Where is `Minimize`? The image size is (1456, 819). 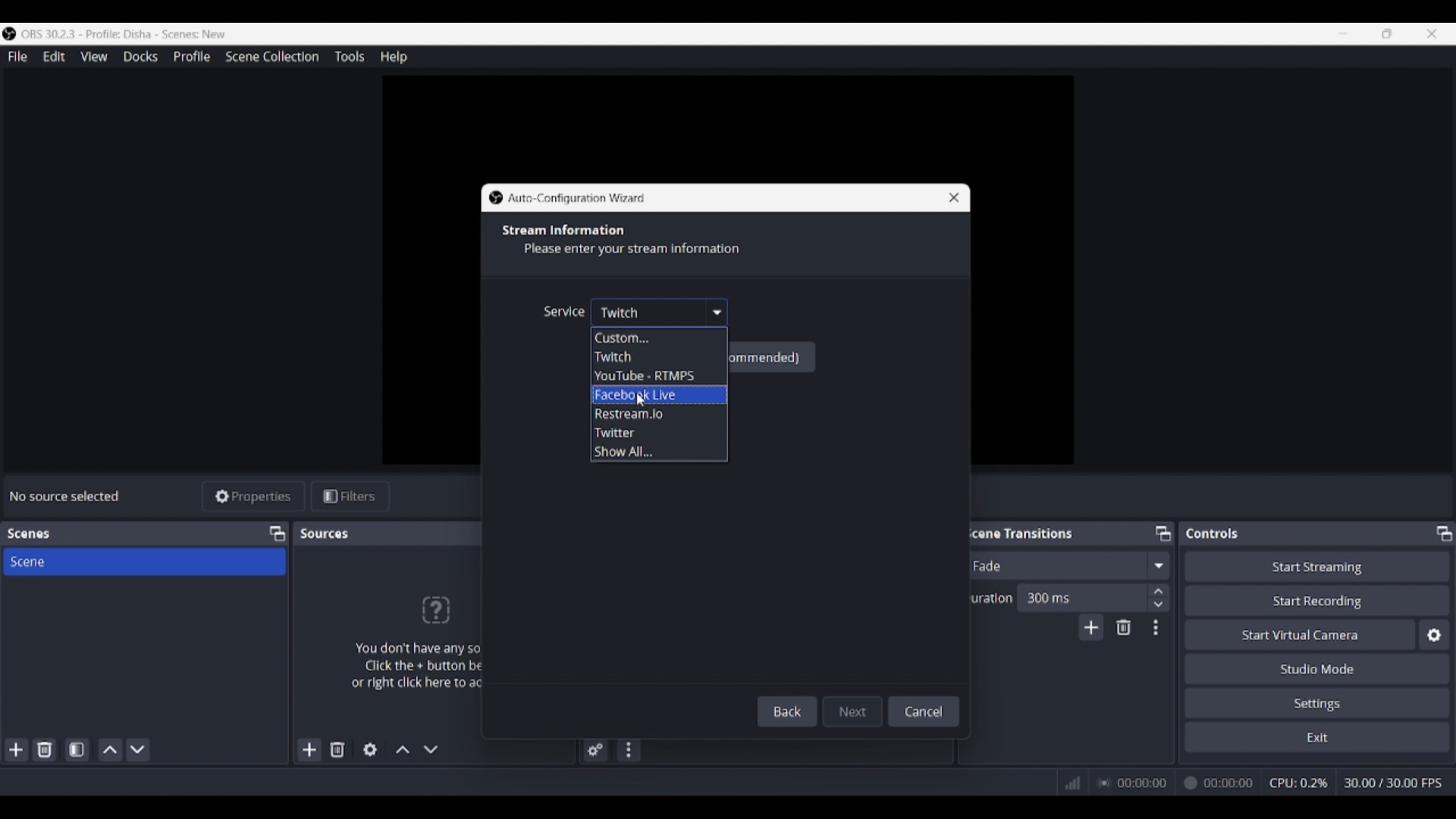 Minimize is located at coordinates (1343, 33).